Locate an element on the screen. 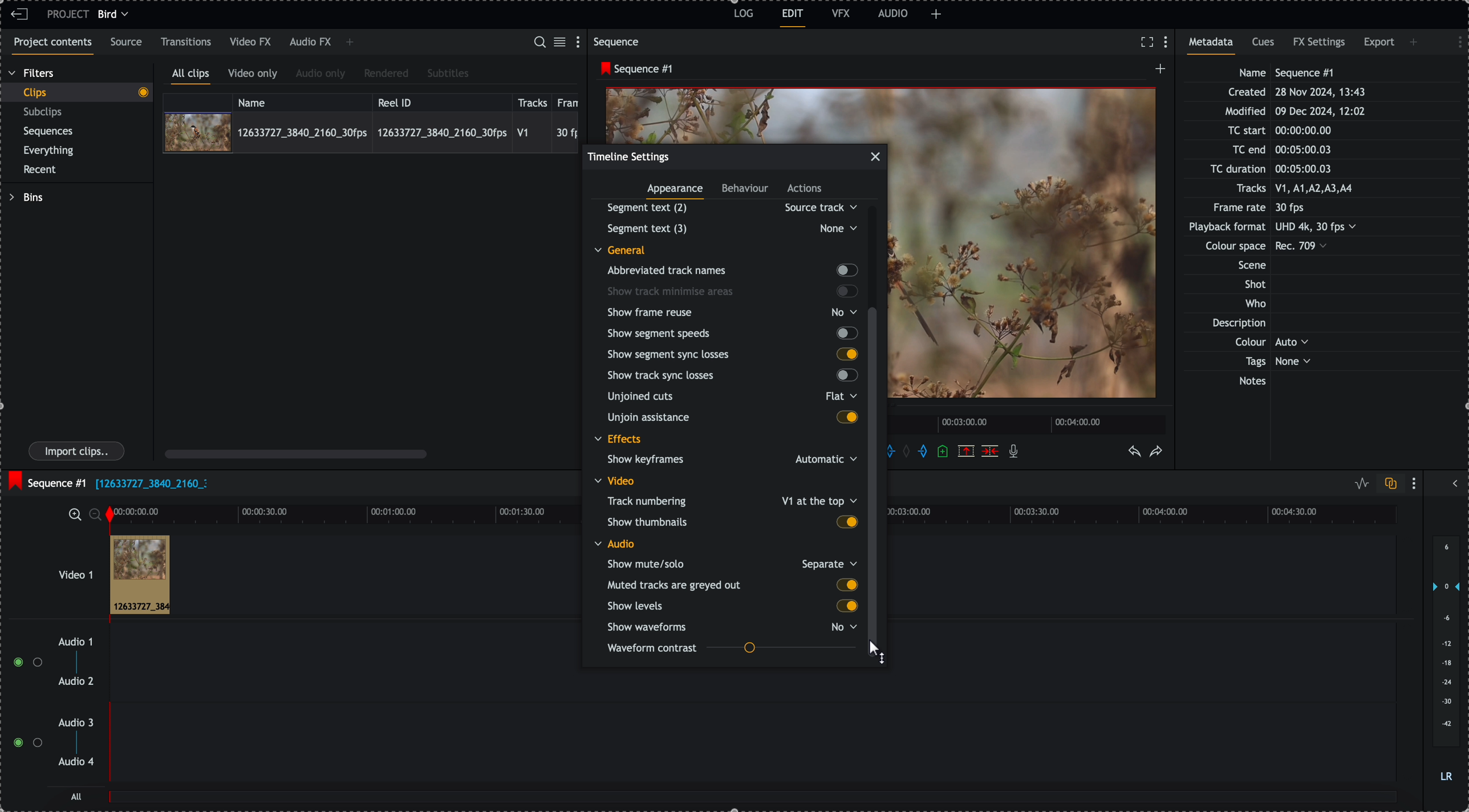  VFX is located at coordinates (841, 13).